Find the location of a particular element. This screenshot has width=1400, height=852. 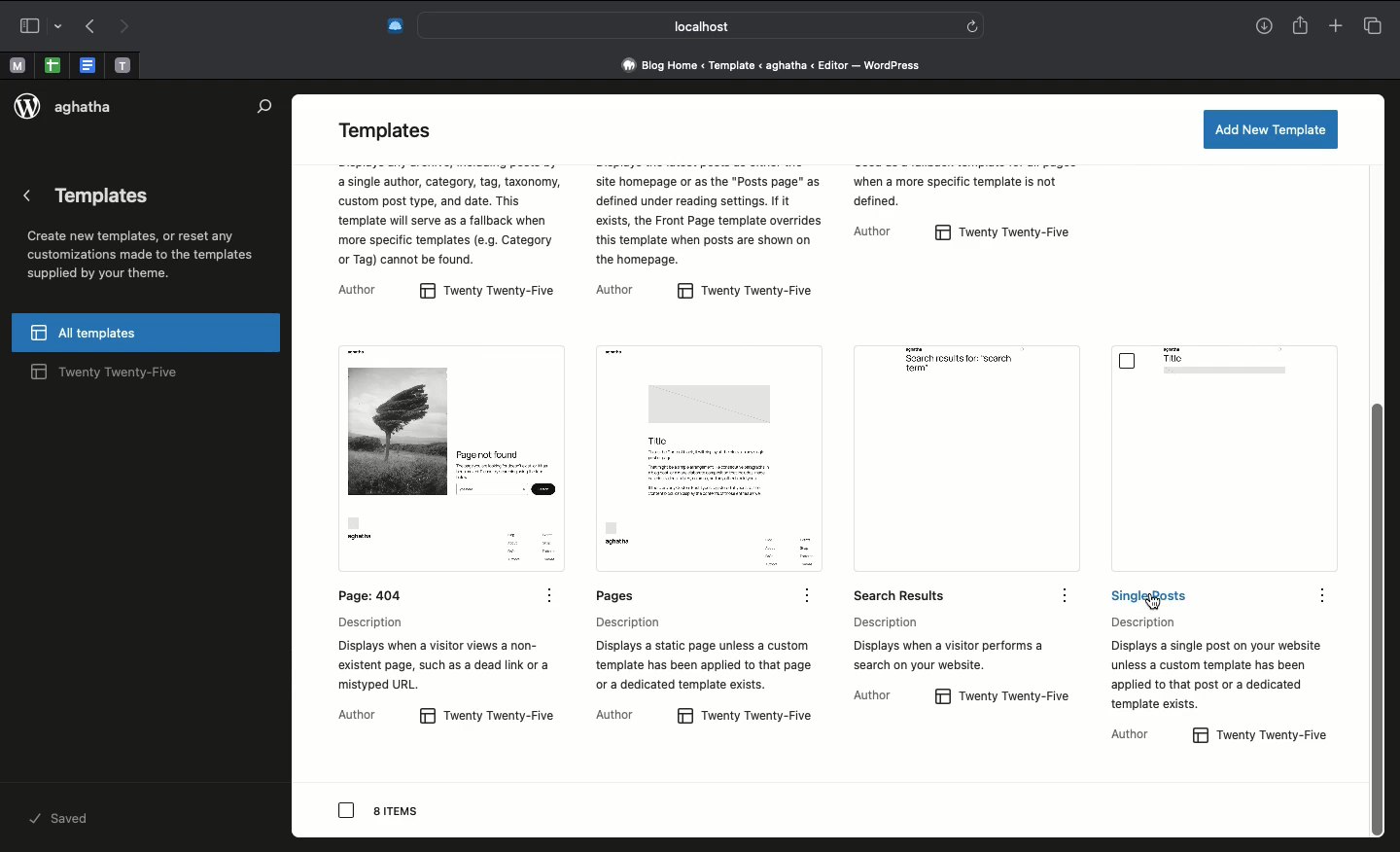

twenty twenty-five is located at coordinates (750, 293).